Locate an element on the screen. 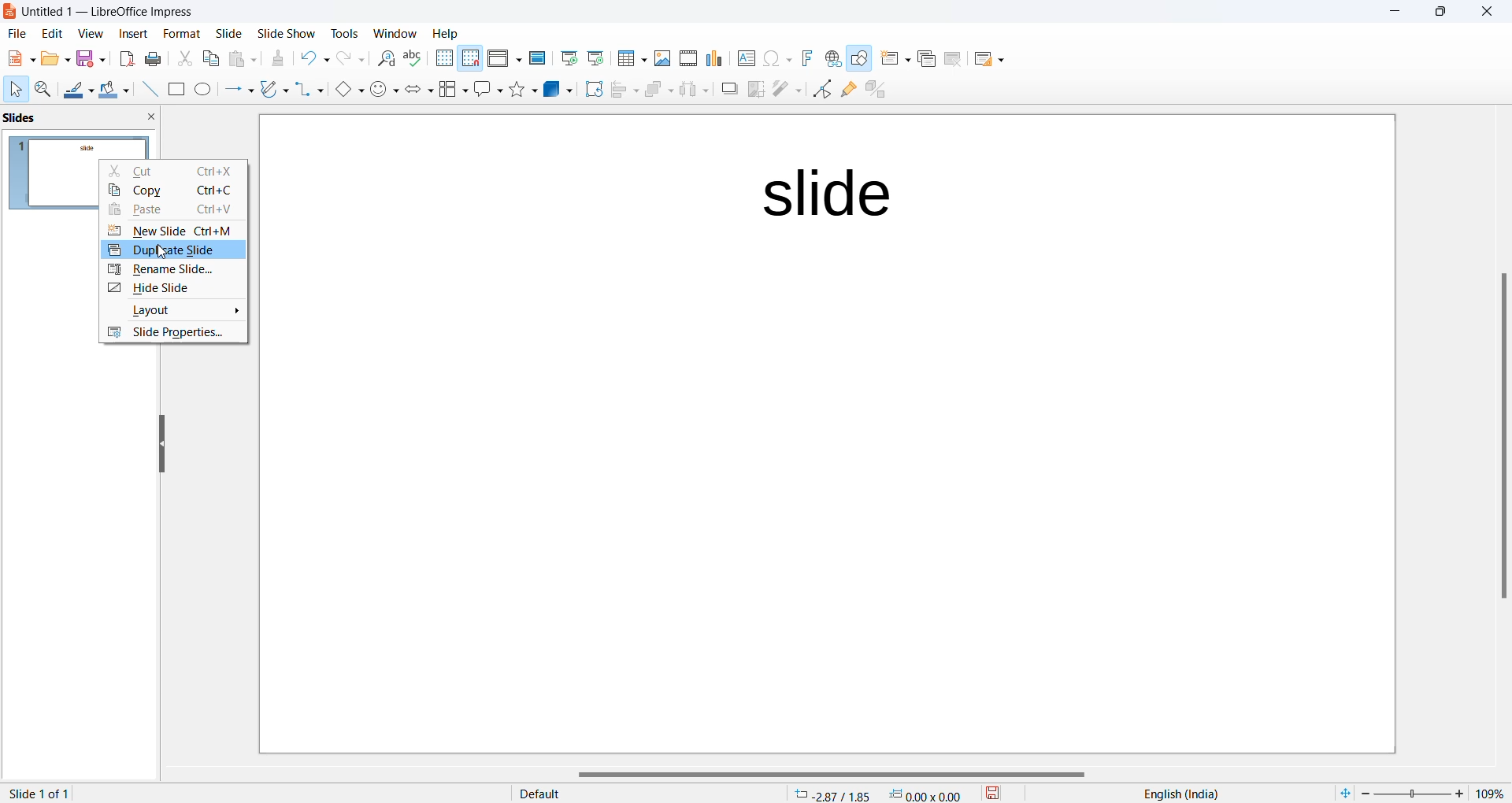 This screenshot has width=1512, height=803. duplicate slide is located at coordinates (168, 249).